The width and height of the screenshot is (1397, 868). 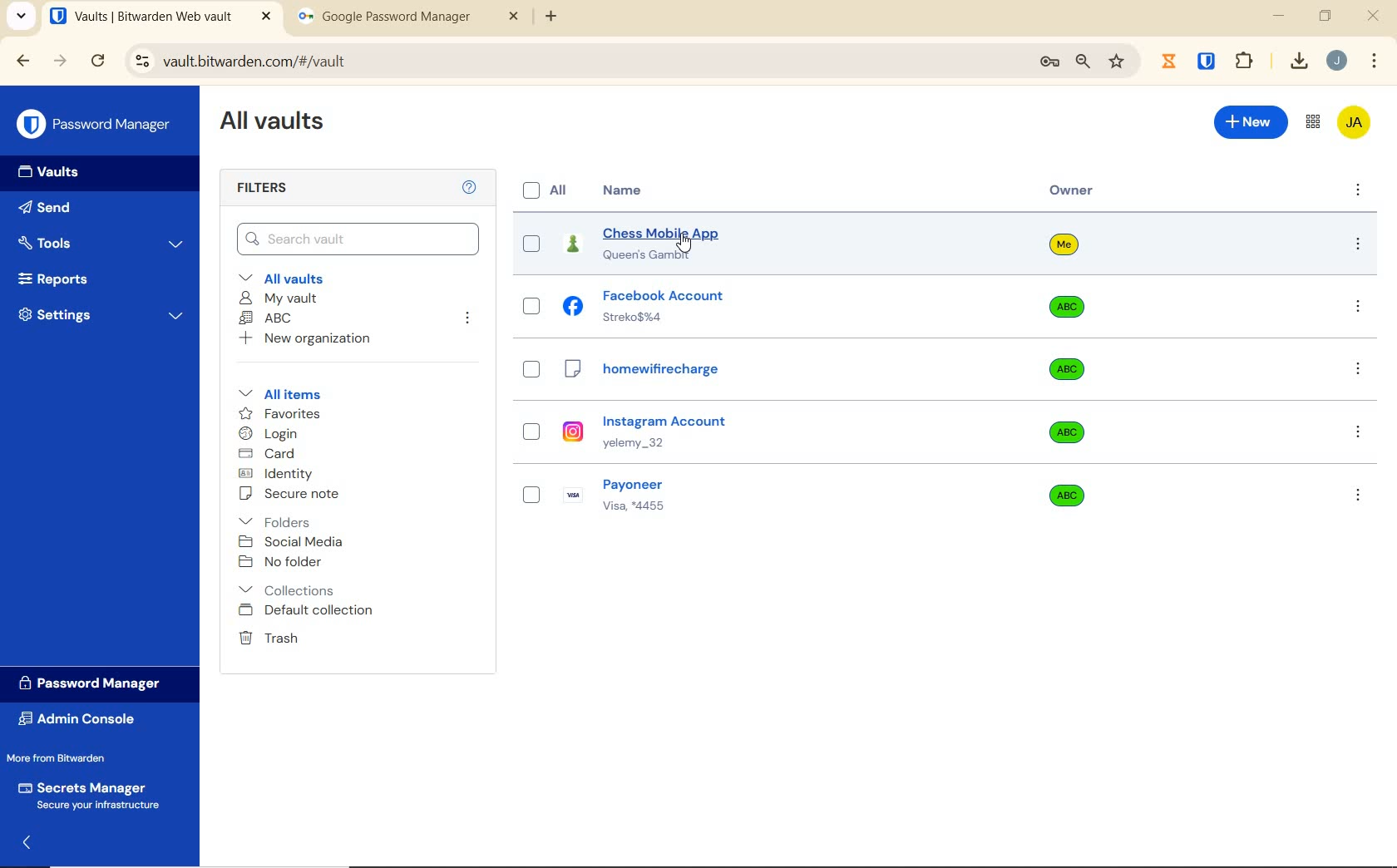 What do you see at coordinates (1340, 62) in the screenshot?
I see `Account` at bounding box center [1340, 62].